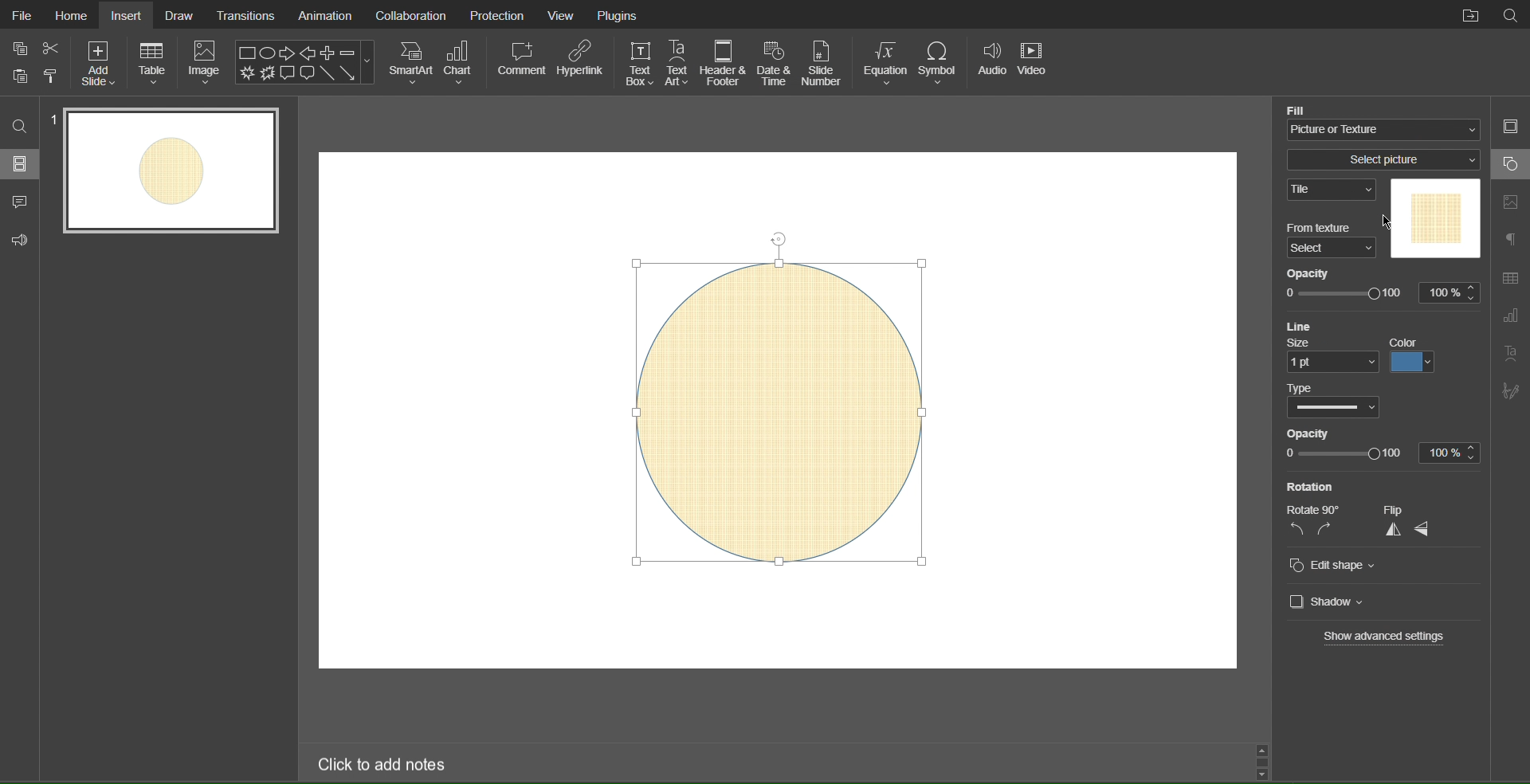 The image size is (1530, 784). I want to click on Table Settings, so click(1509, 275).